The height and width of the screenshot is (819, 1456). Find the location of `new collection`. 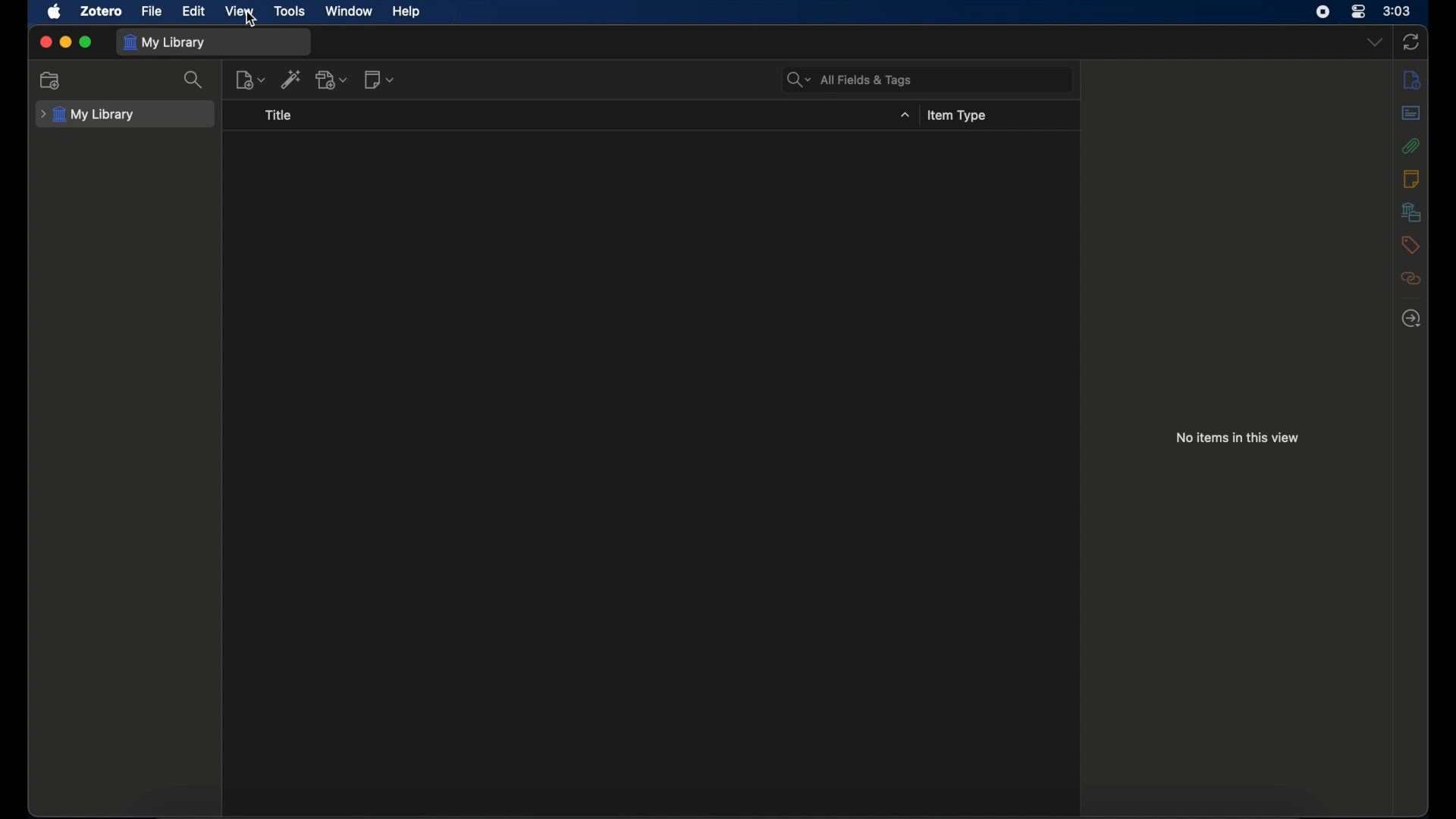

new collection is located at coordinates (53, 81).